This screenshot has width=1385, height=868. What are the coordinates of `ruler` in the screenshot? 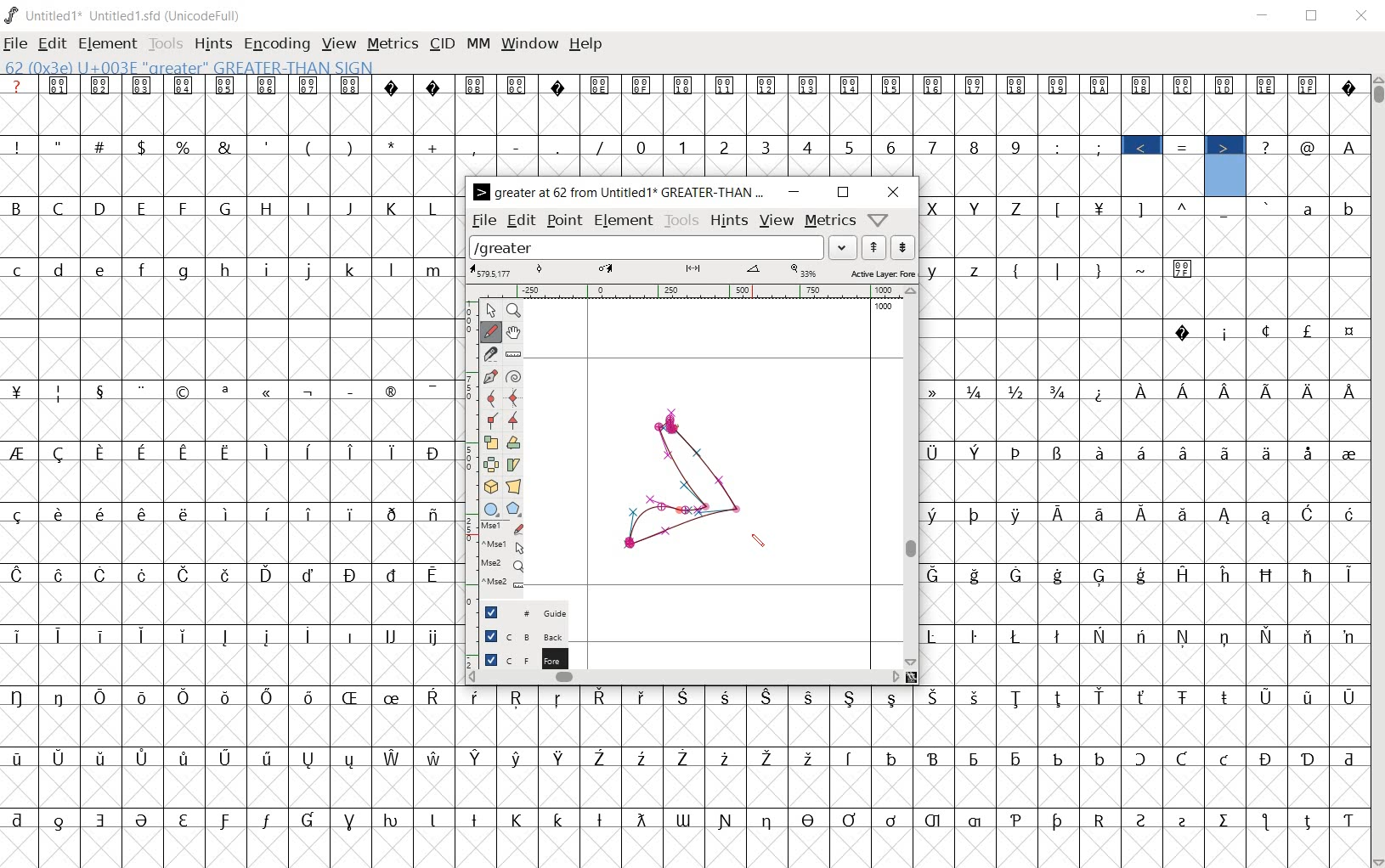 It's located at (687, 290).